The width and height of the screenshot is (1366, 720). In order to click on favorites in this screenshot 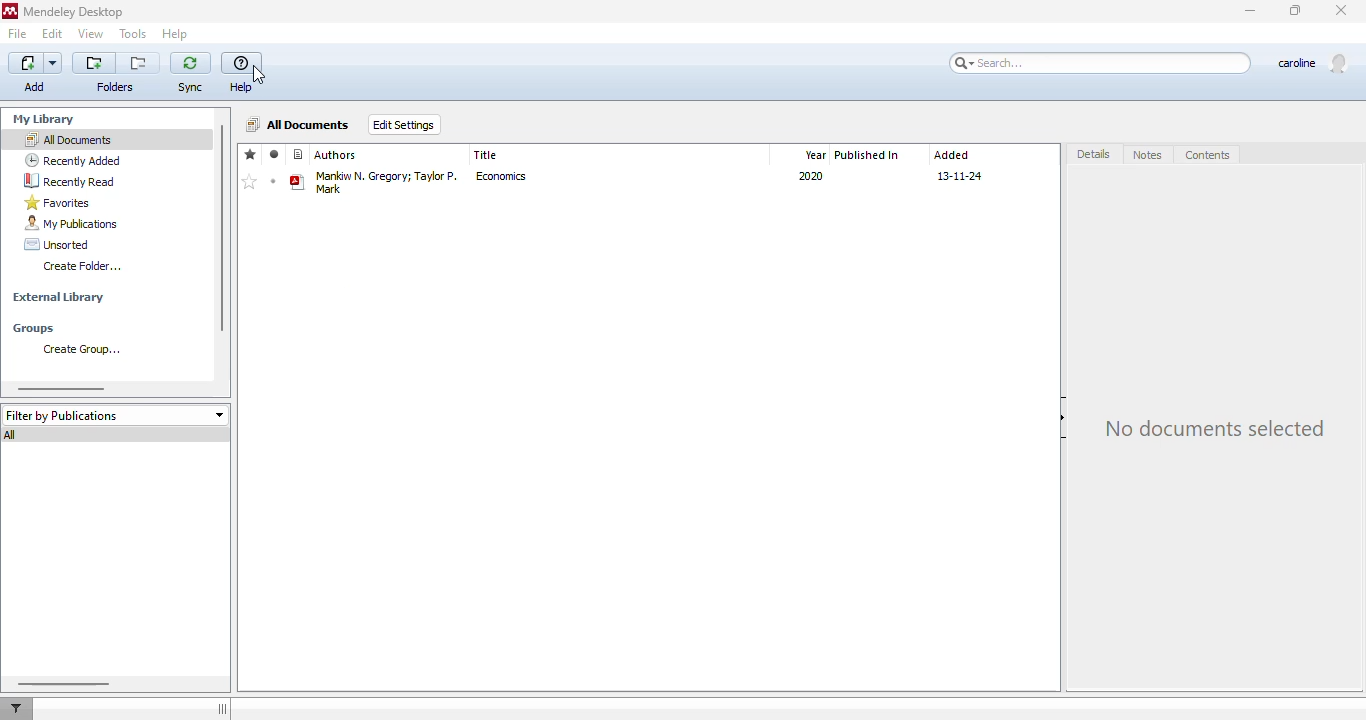, I will do `click(249, 155)`.